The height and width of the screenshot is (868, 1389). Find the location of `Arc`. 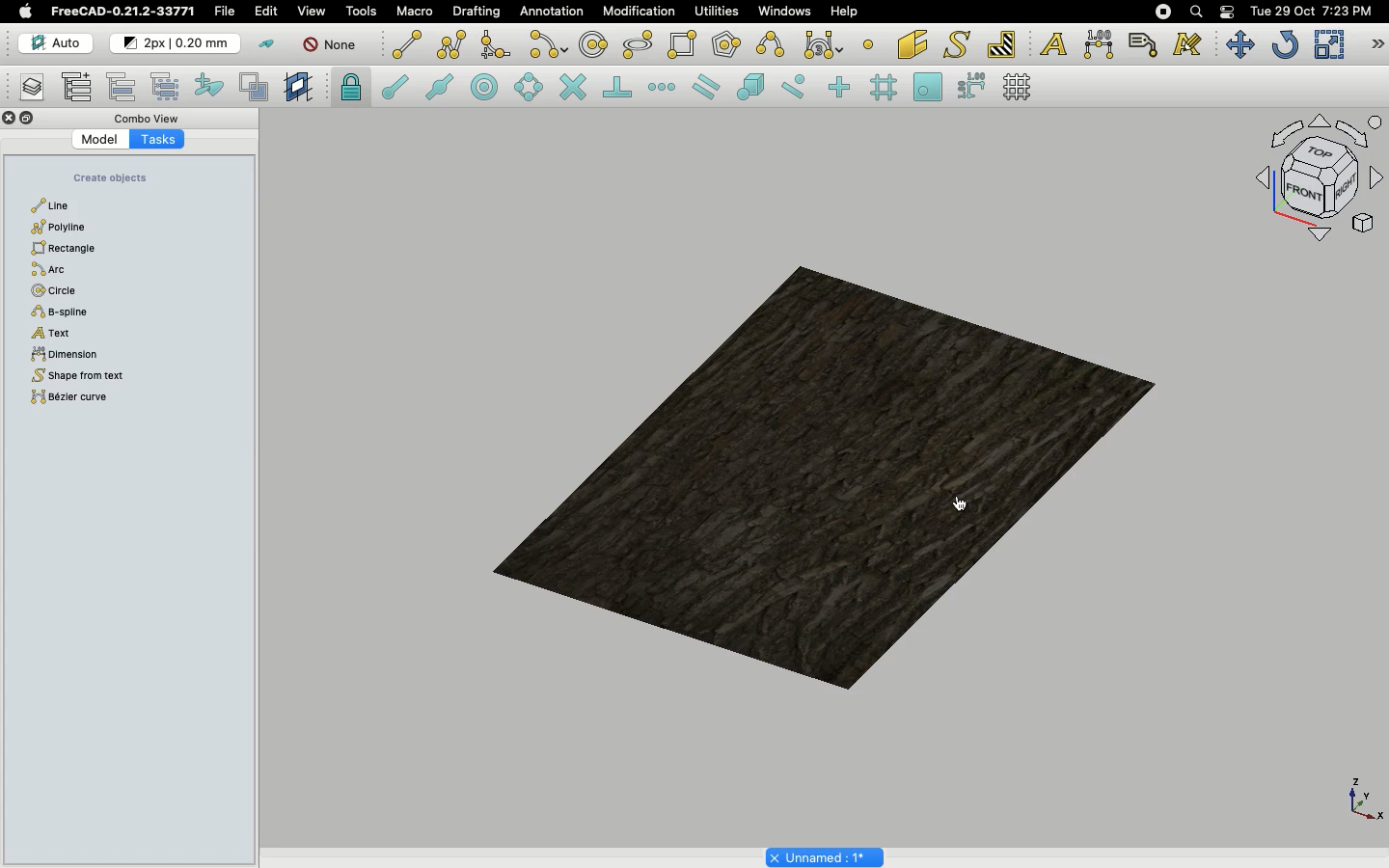

Arc is located at coordinates (44, 269).